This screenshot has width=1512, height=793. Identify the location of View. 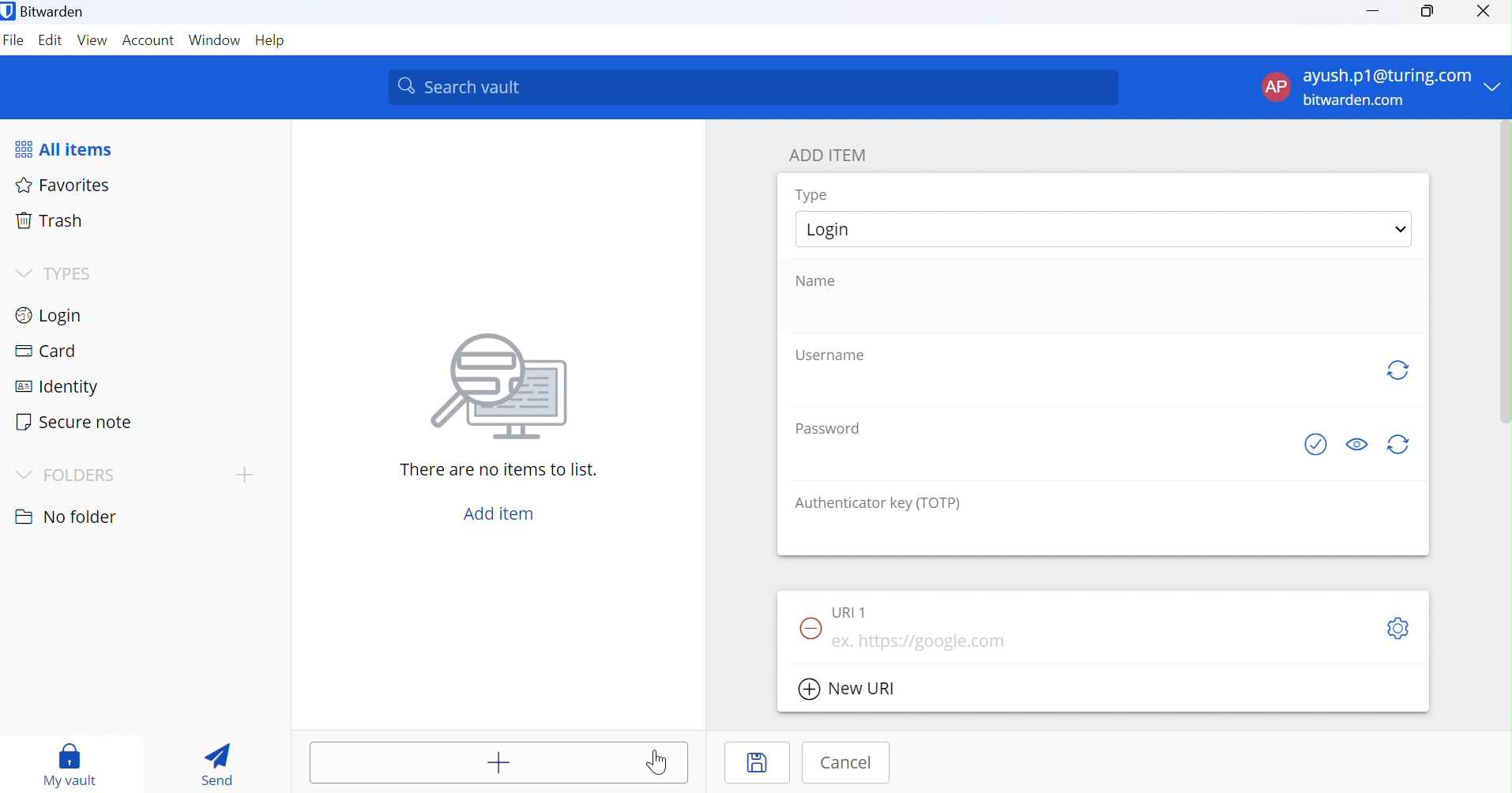
(92, 43).